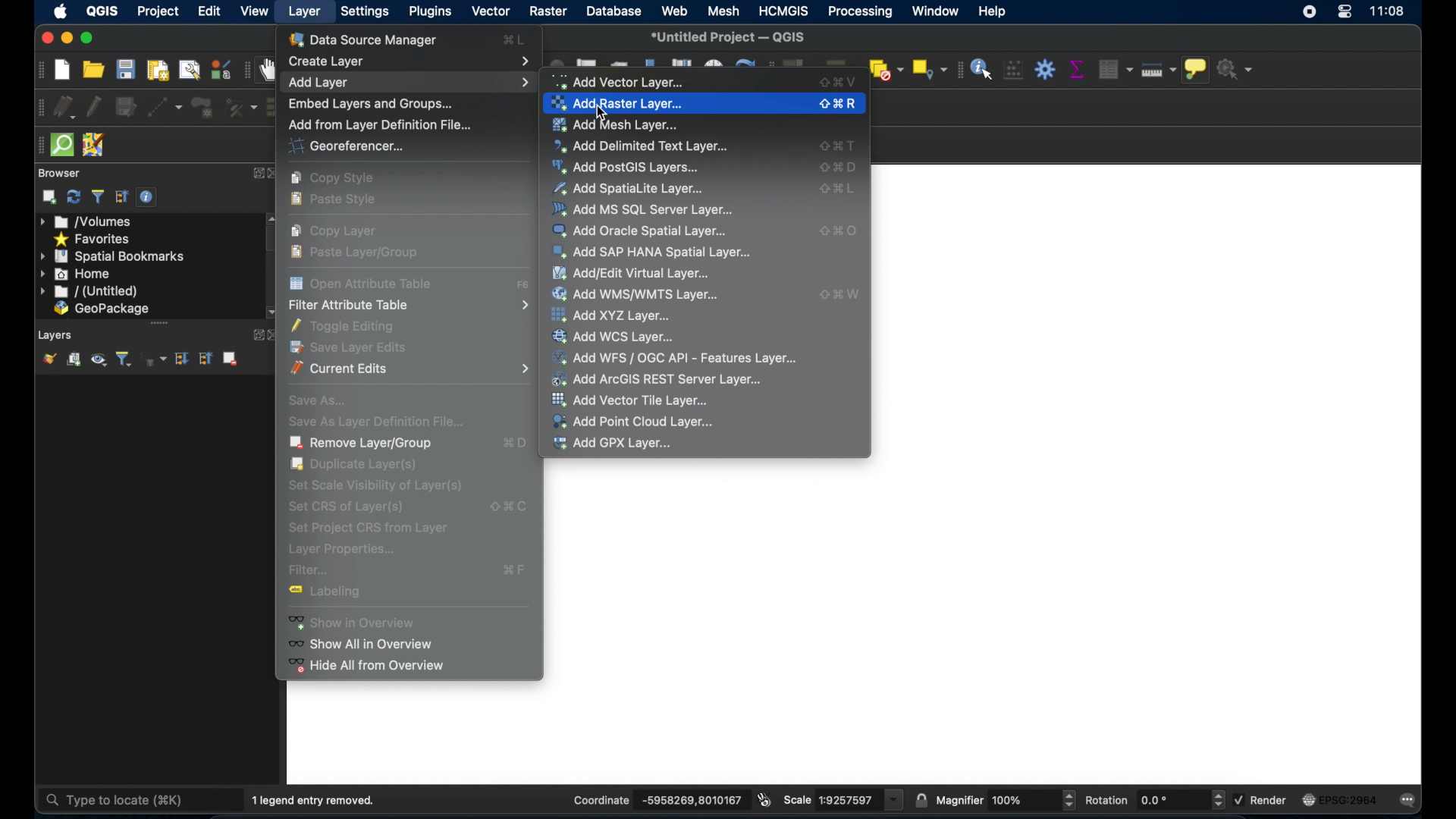 The image size is (1456, 819). I want to click on attribute toolbar, so click(957, 70).